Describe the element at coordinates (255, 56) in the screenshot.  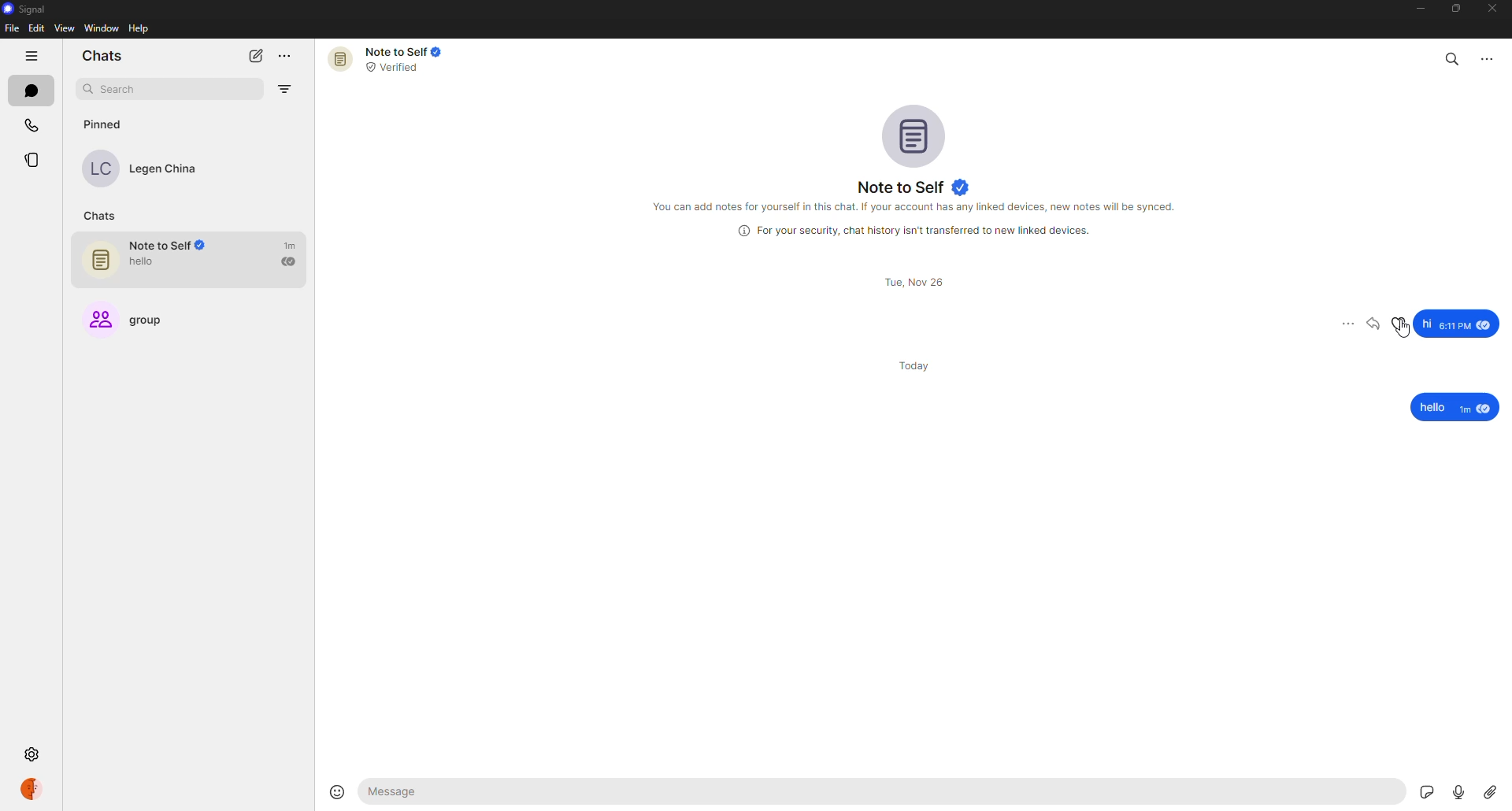
I see `new chat` at that location.